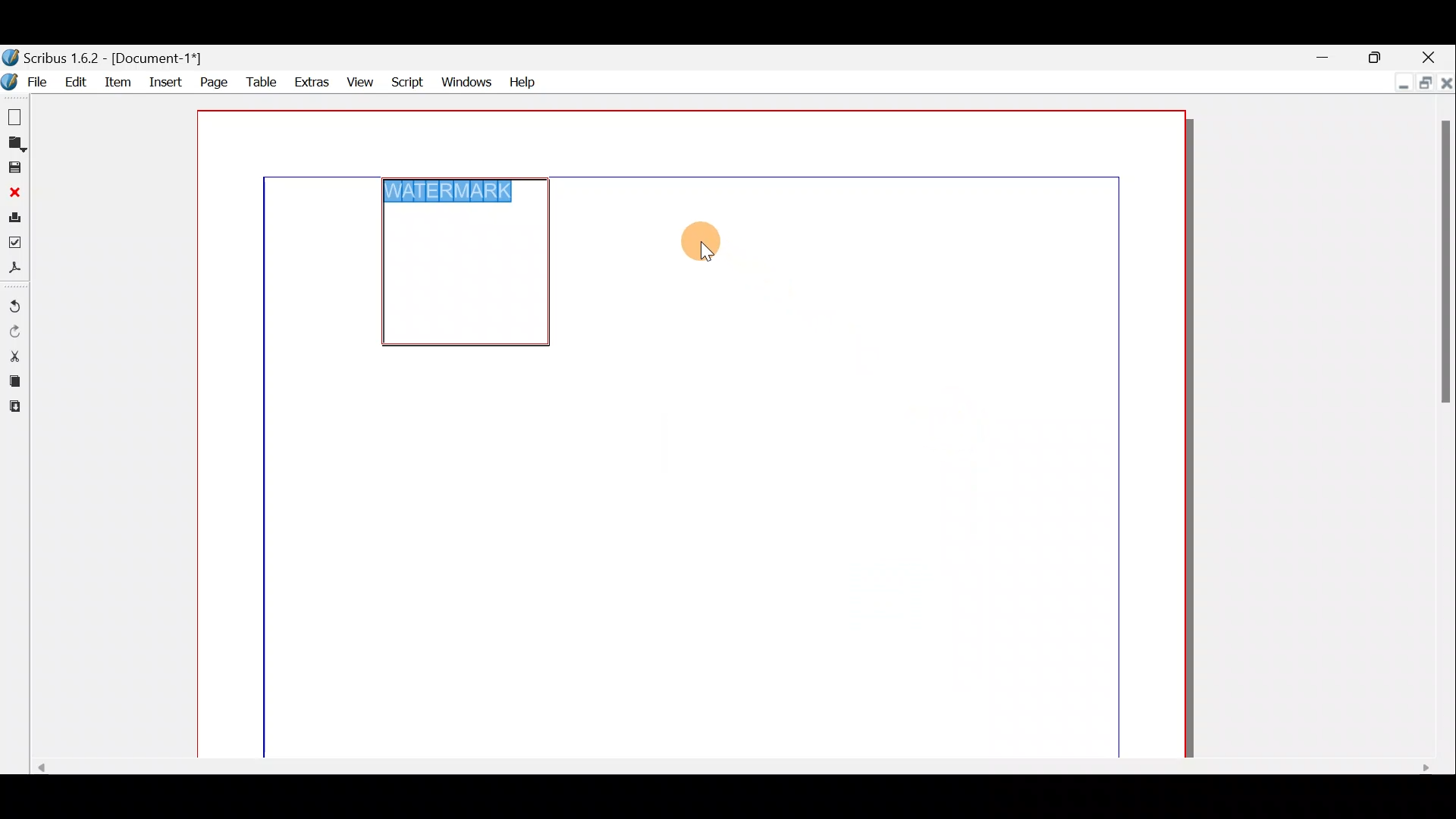  What do you see at coordinates (13, 115) in the screenshot?
I see `New` at bounding box center [13, 115].